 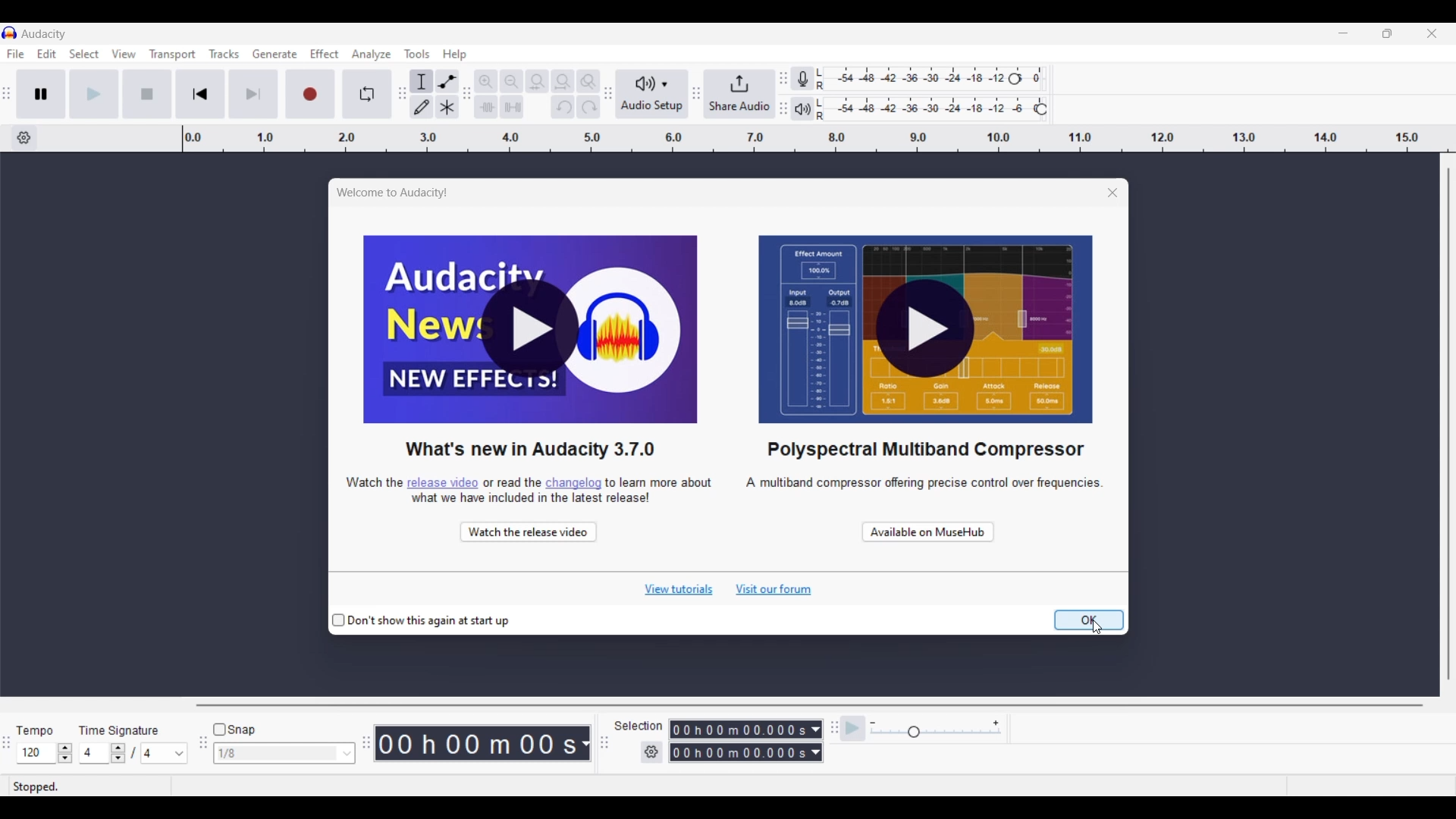 I want to click on Multi-tool, so click(x=447, y=107).